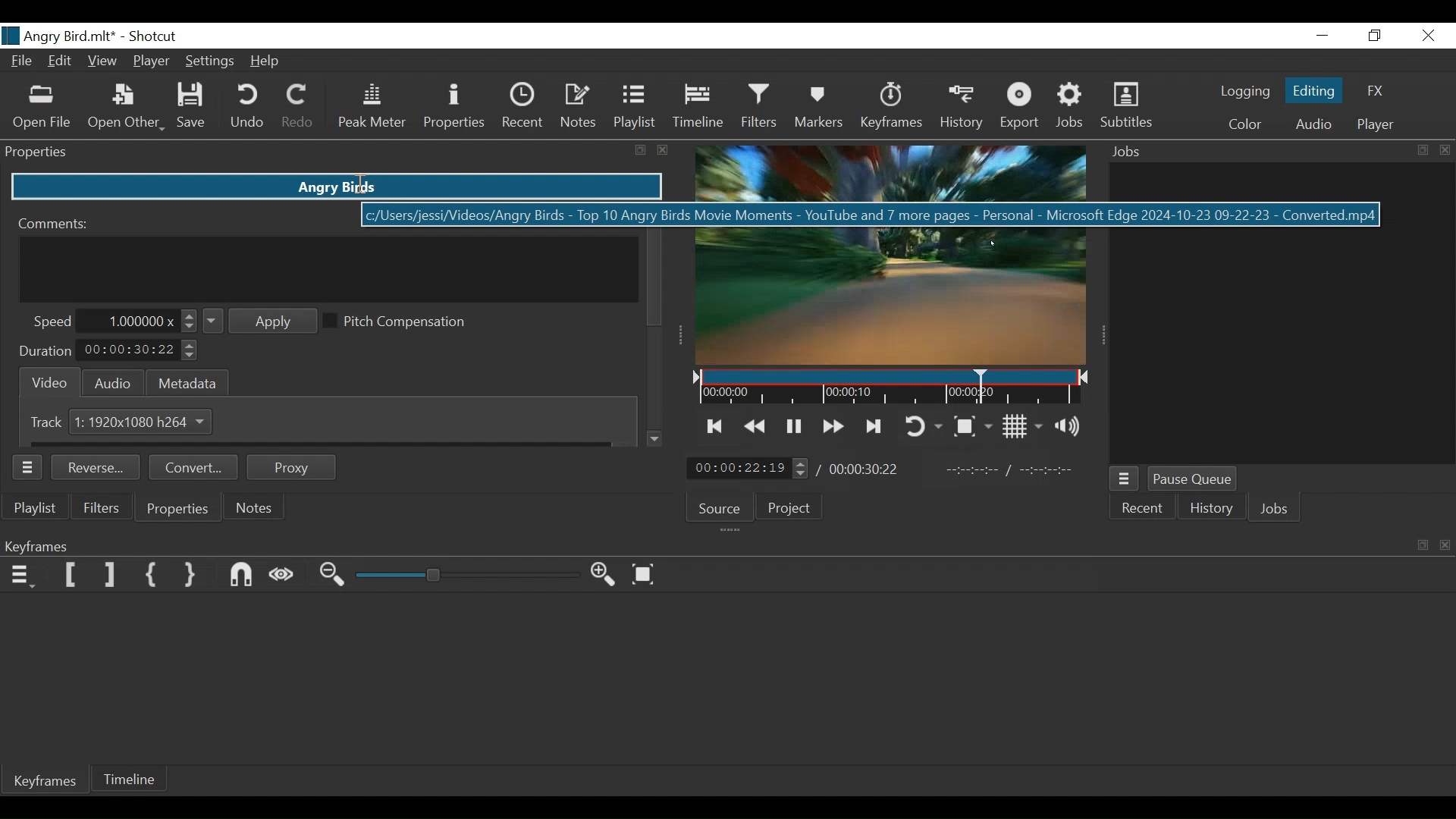 This screenshot has height=819, width=1456. What do you see at coordinates (1376, 35) in the screenshot?
I see `Restore` at bounding box center [1376, 35].